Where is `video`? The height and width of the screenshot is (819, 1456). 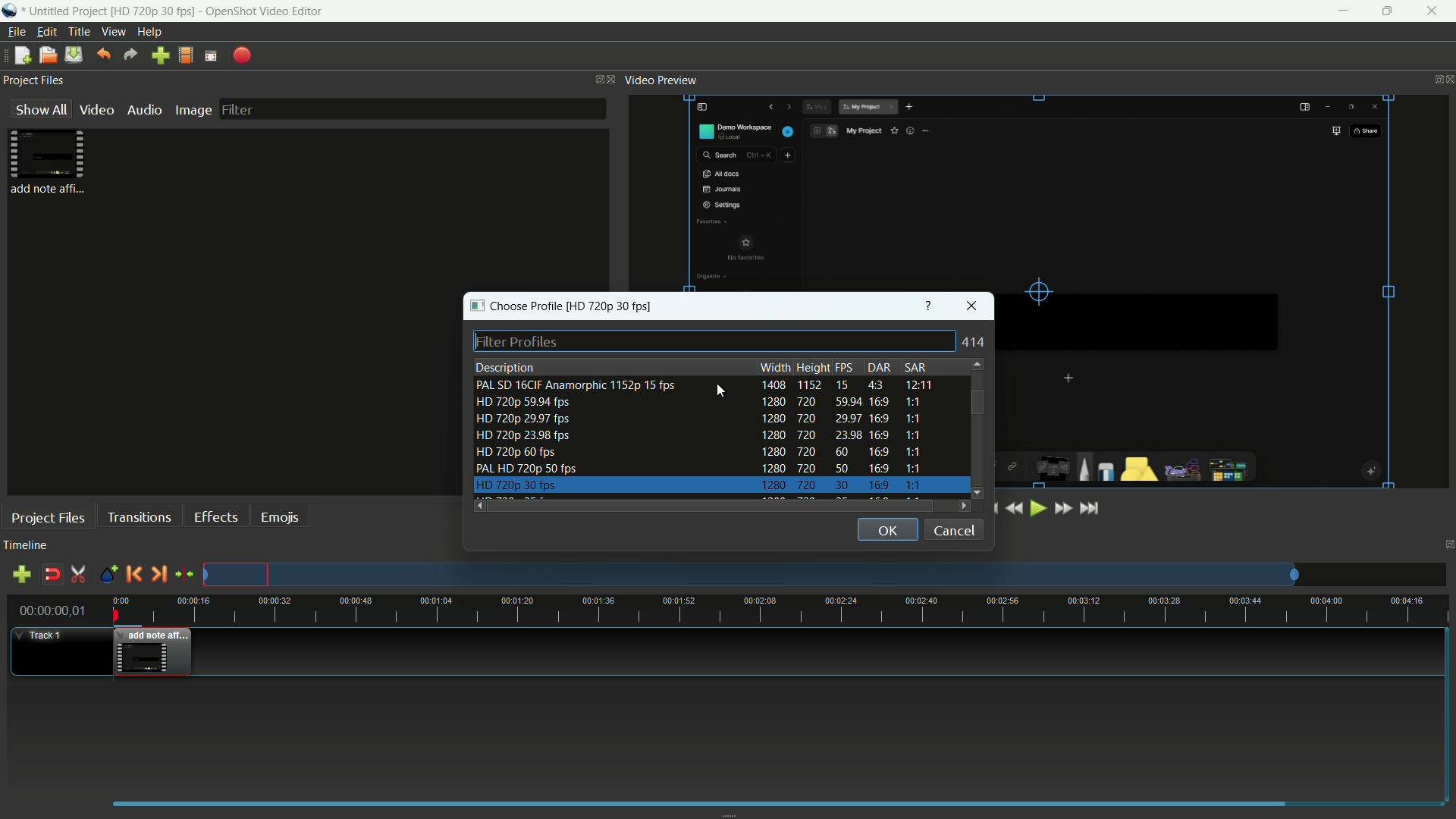 video is located at coordinates (94, 111).